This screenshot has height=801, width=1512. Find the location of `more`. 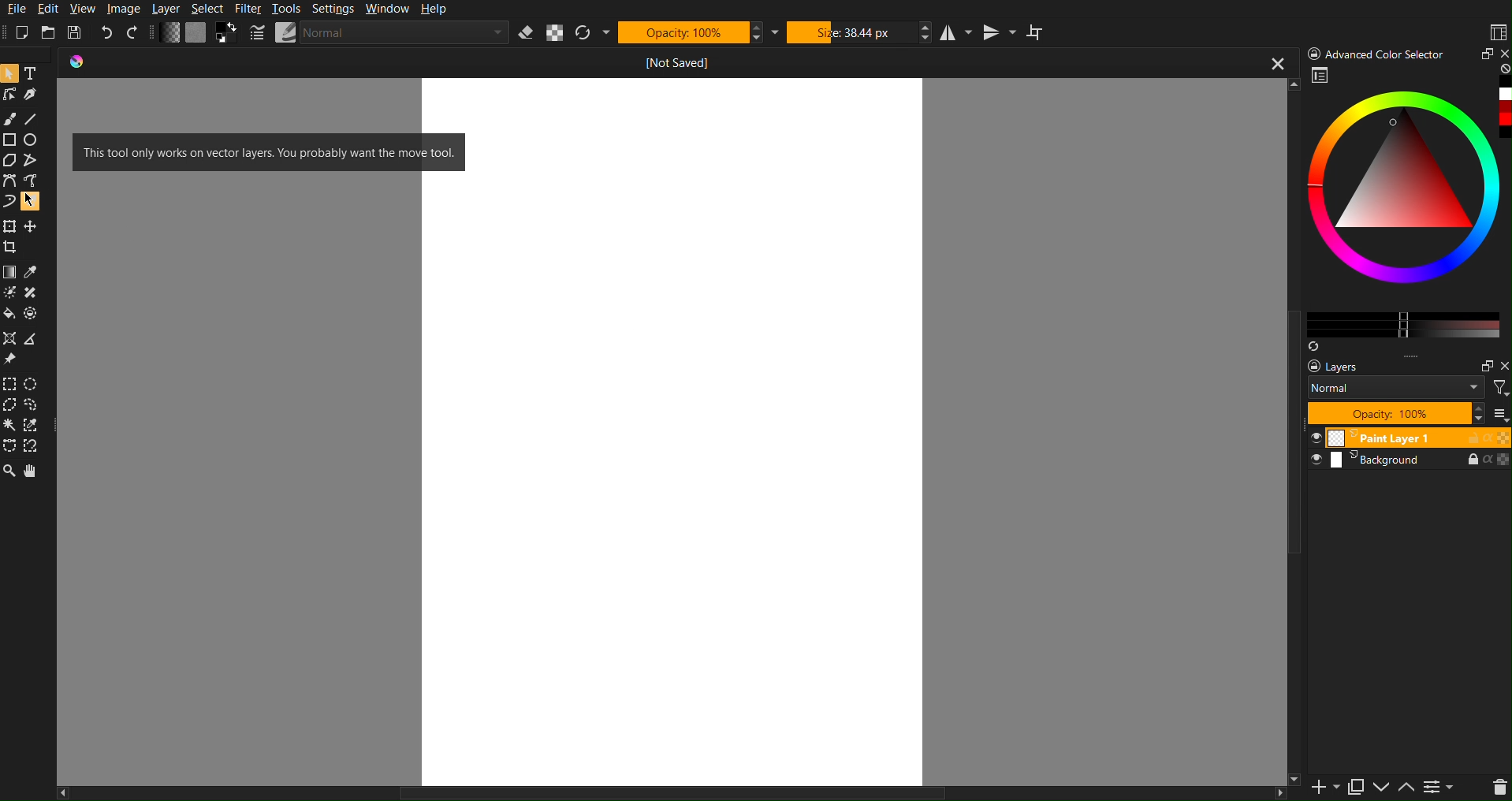

more is located at coordinates (1502, 415).